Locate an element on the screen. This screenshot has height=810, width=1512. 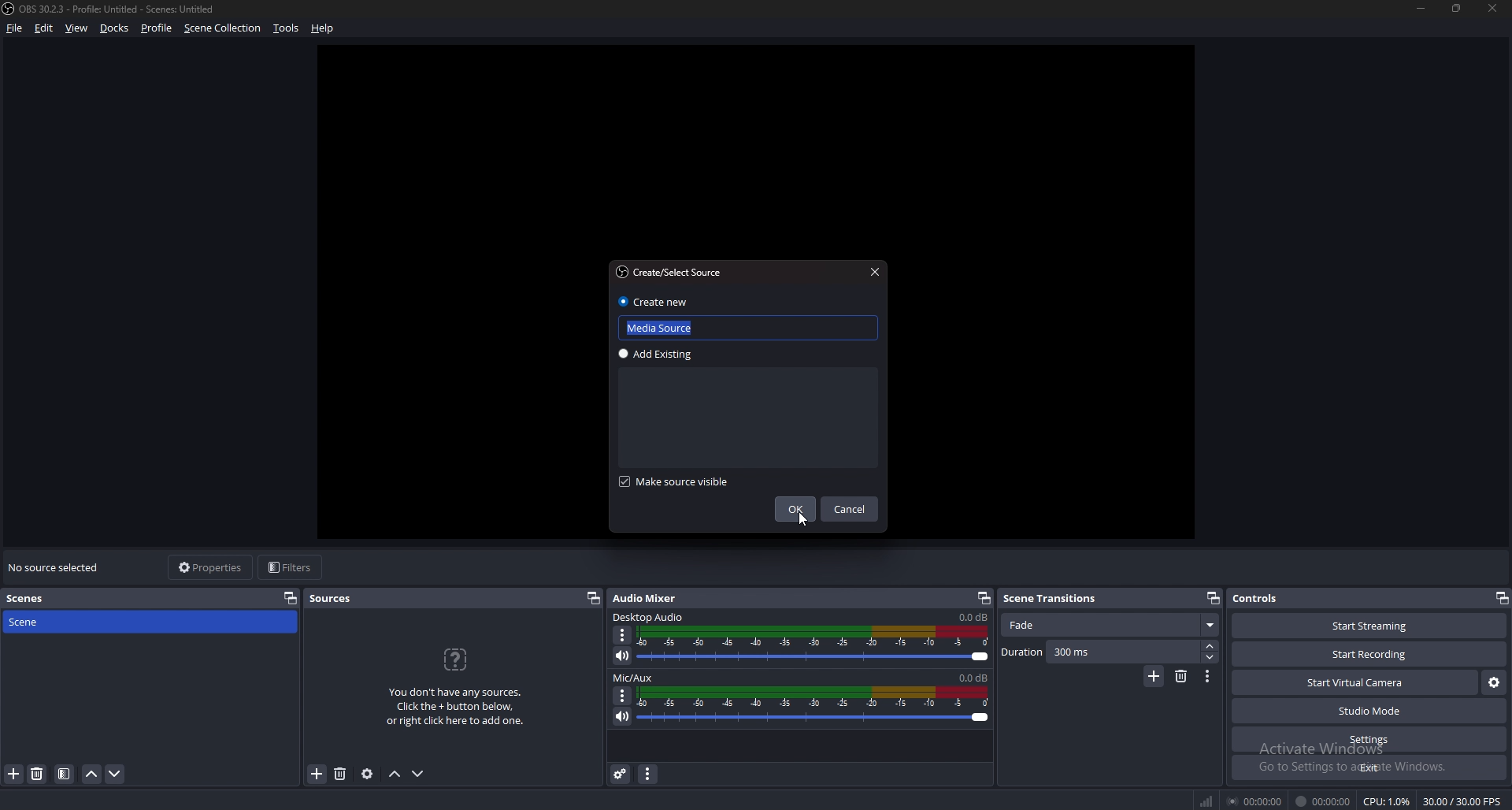
 mic Soundbar is located at coordinates (814, 705).